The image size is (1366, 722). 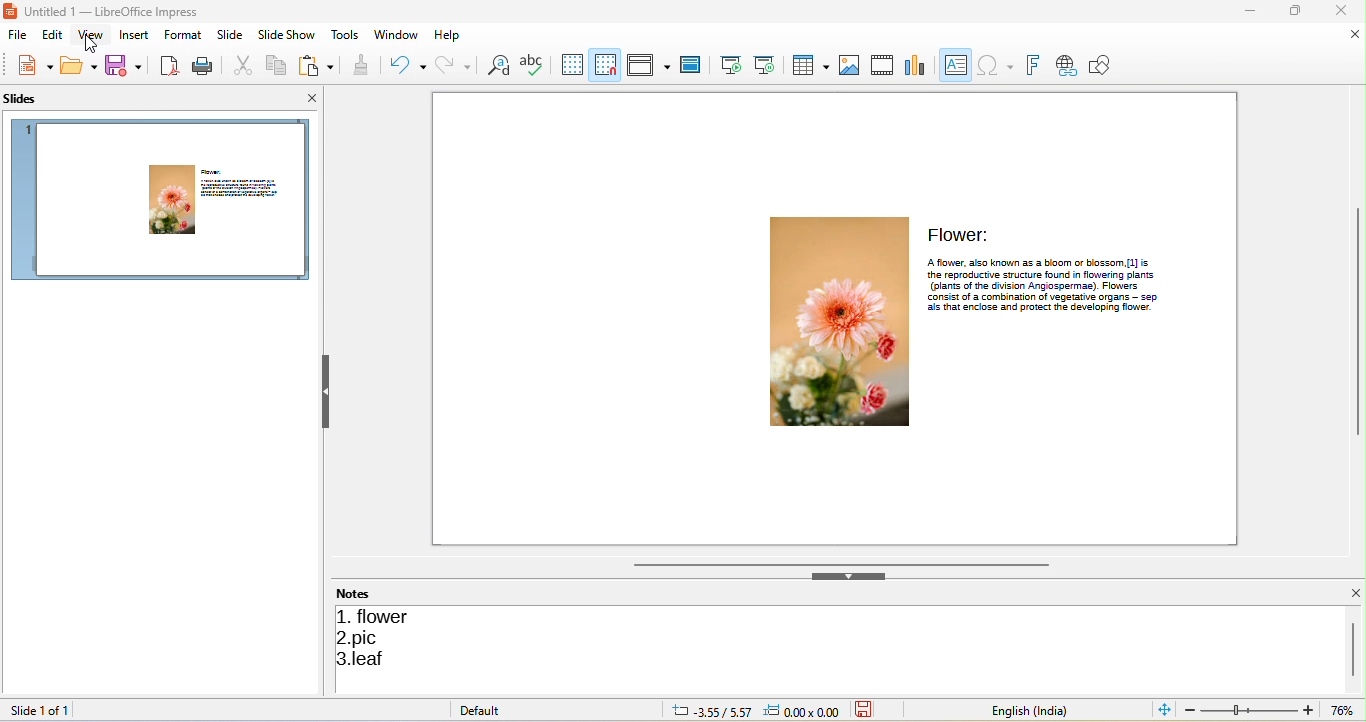 I want to click on display view, so click(x=649, y=63).